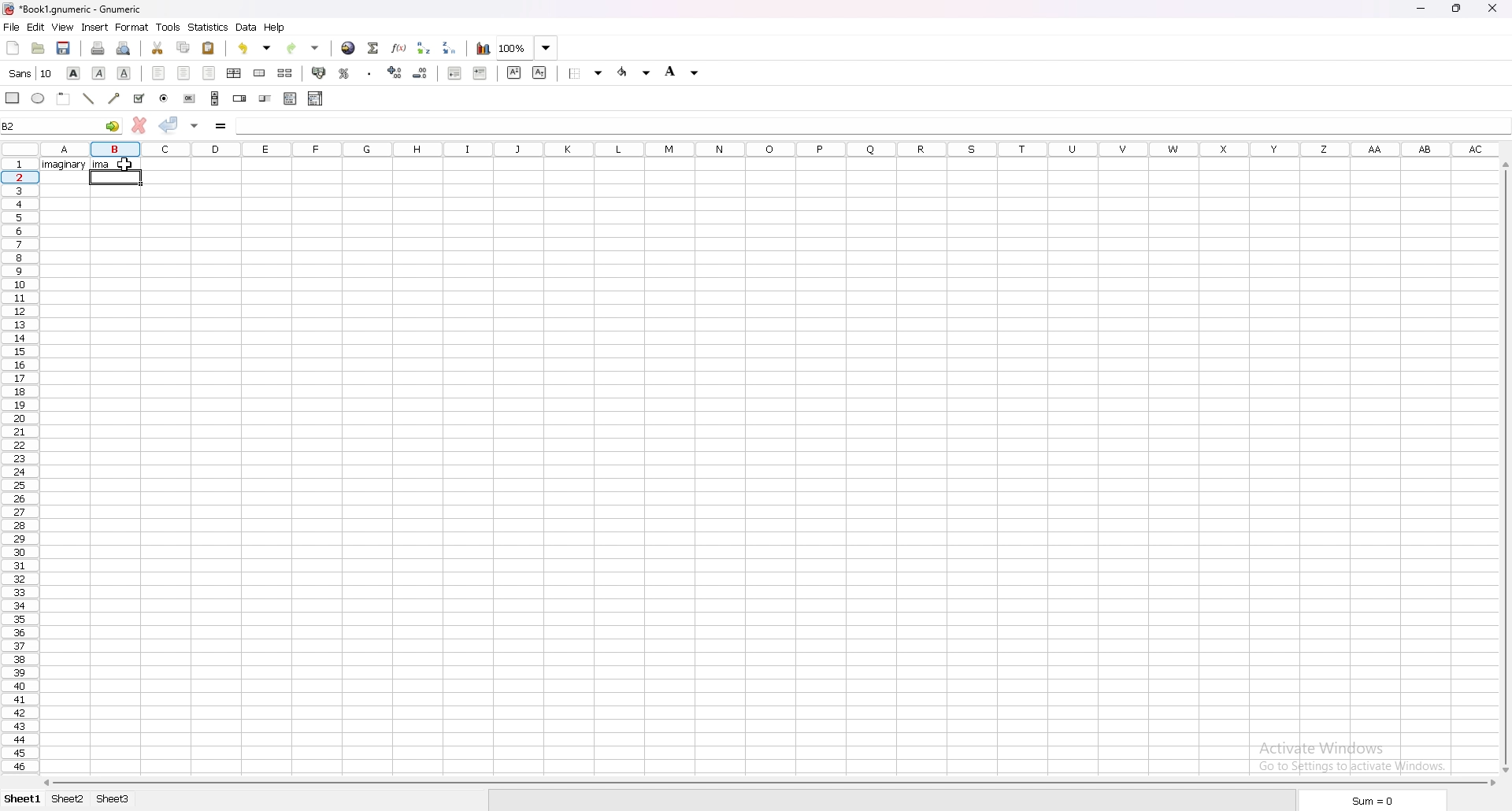 Image resolution: width=1512 pixels, height=811 pixels. I want to click on copy, so click(183, 46).